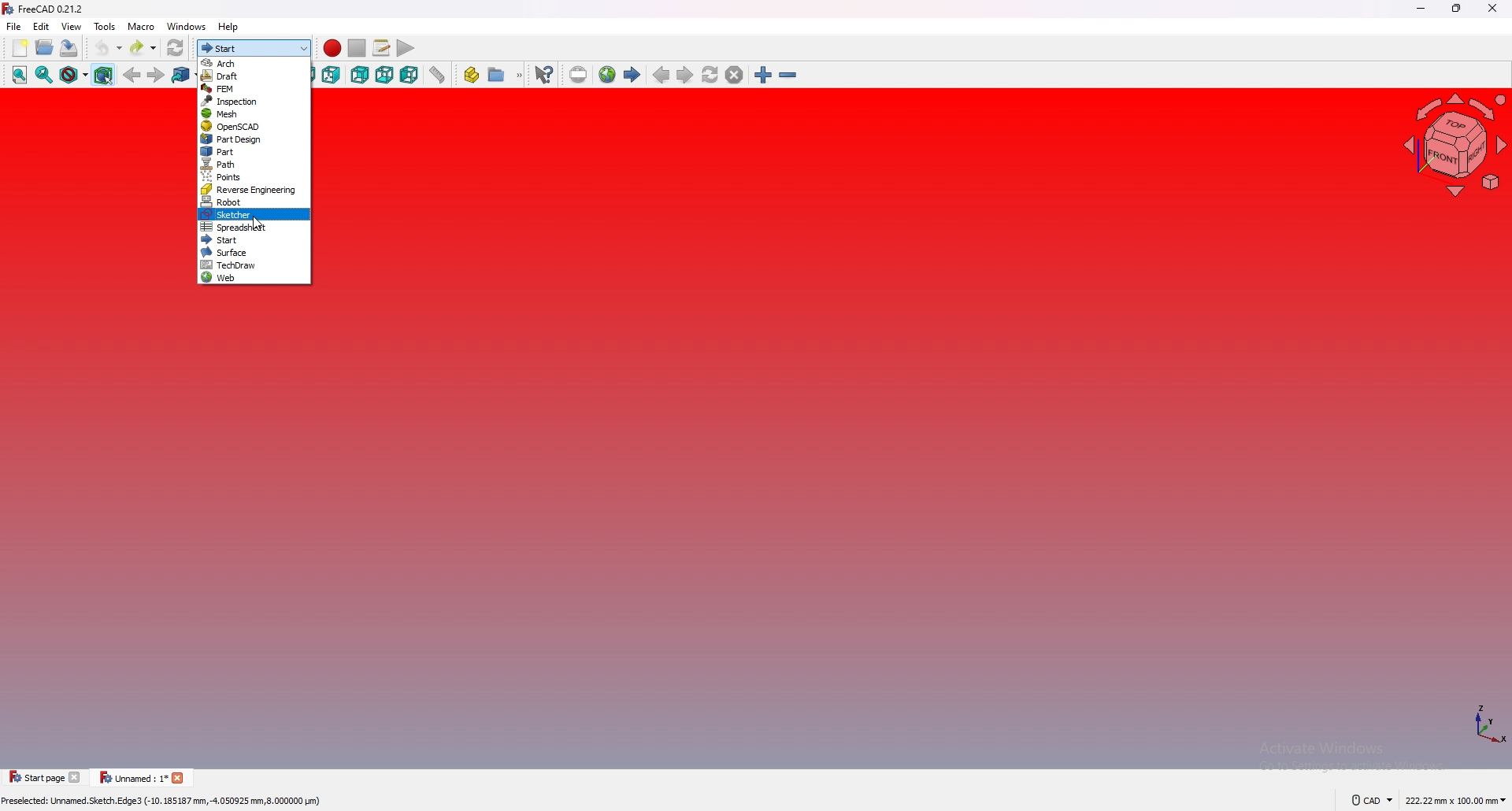 This screenshot has height=811, width=1512. What do you see at coordinates (46, 9) in the screenshot?
I see `freecad` at bounding box center [46, 9].